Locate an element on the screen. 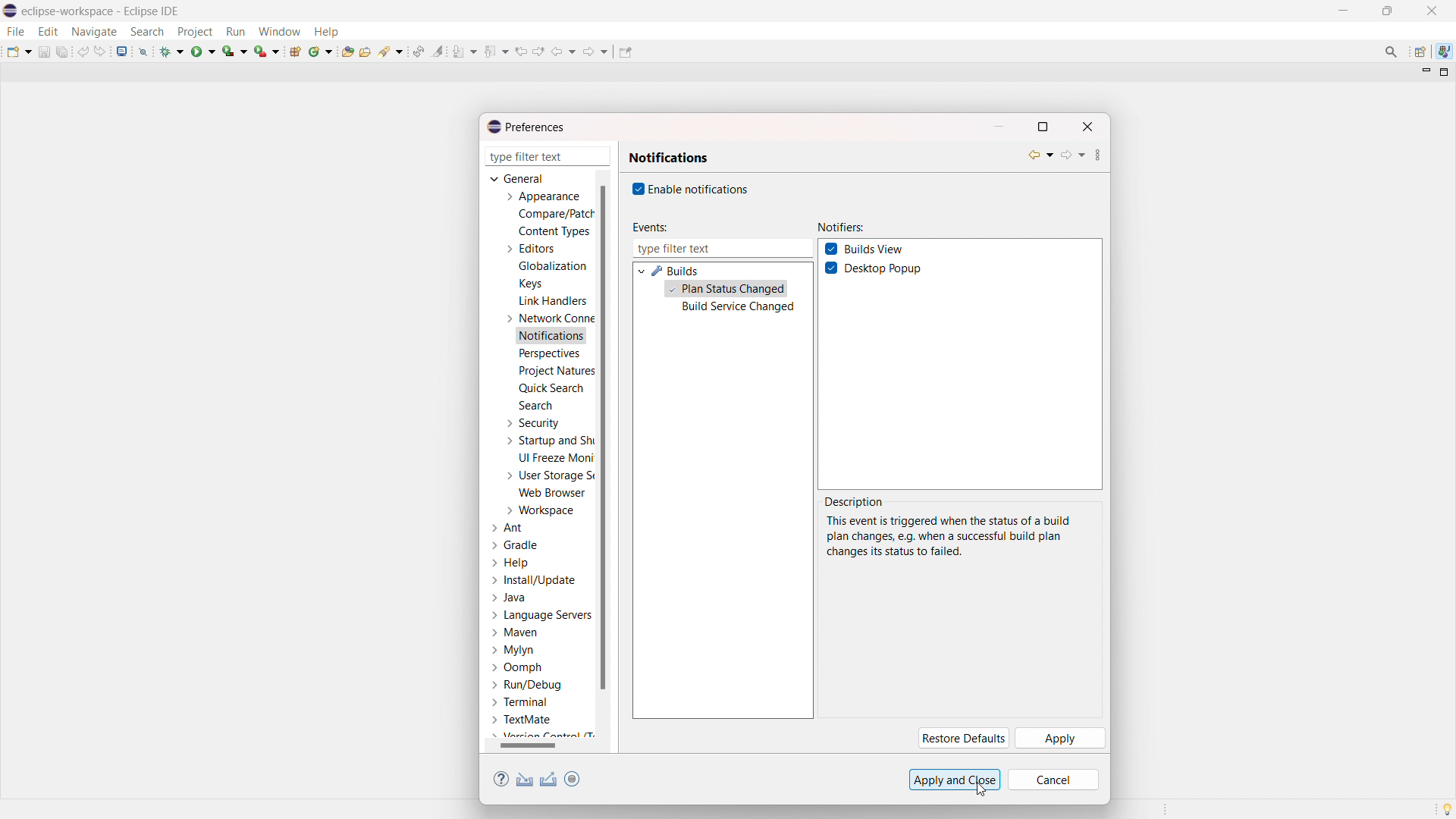 This screenshot has height=819, width=1456. workspace is located at coordinates (539, 510).